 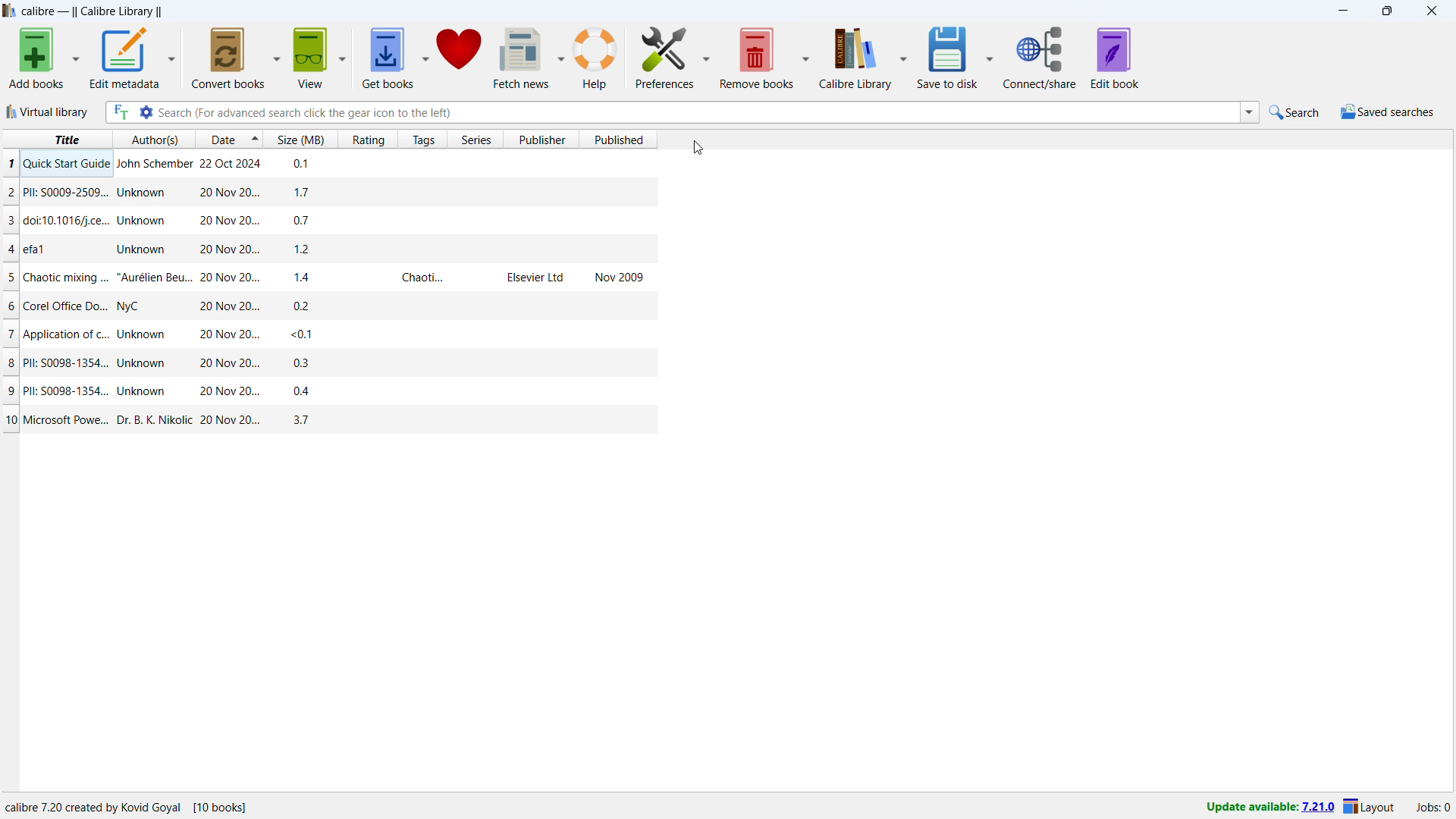 I want to click on edit metadata options, so click(x=172, y=55).